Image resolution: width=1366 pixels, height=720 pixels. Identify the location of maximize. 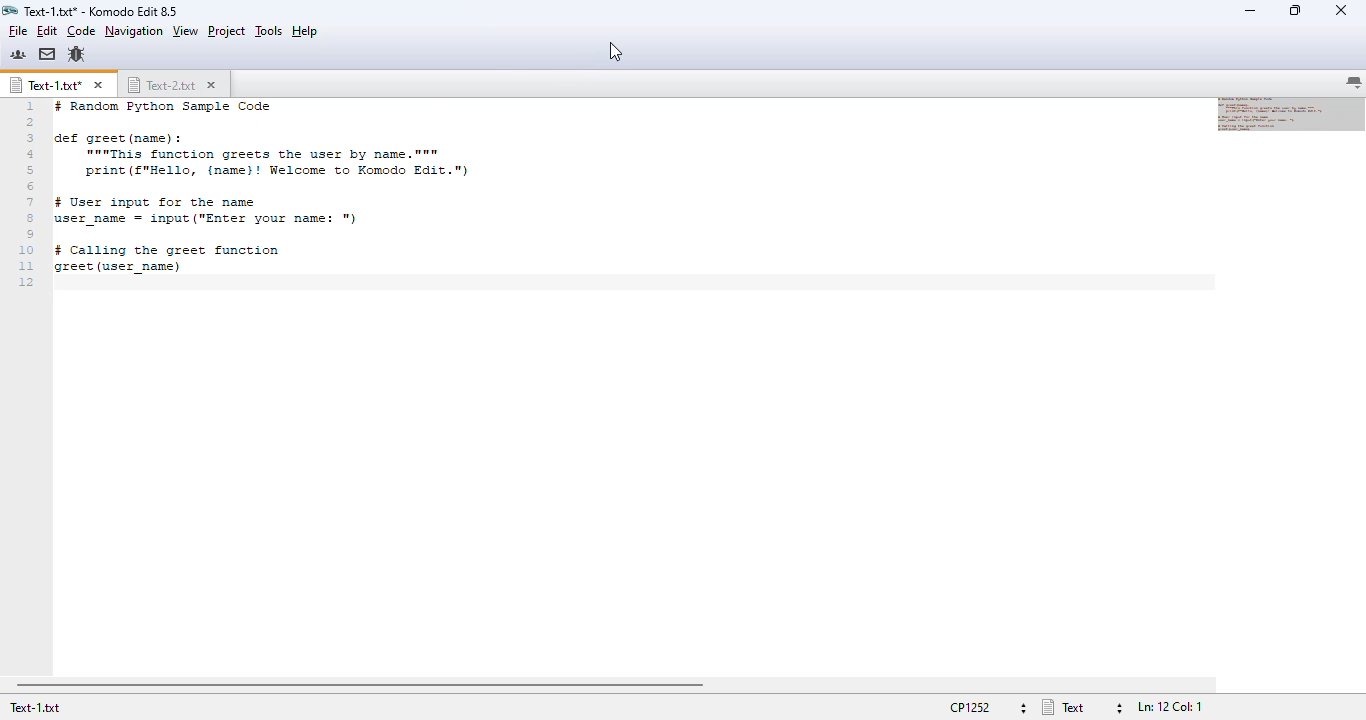
(1295, 10).